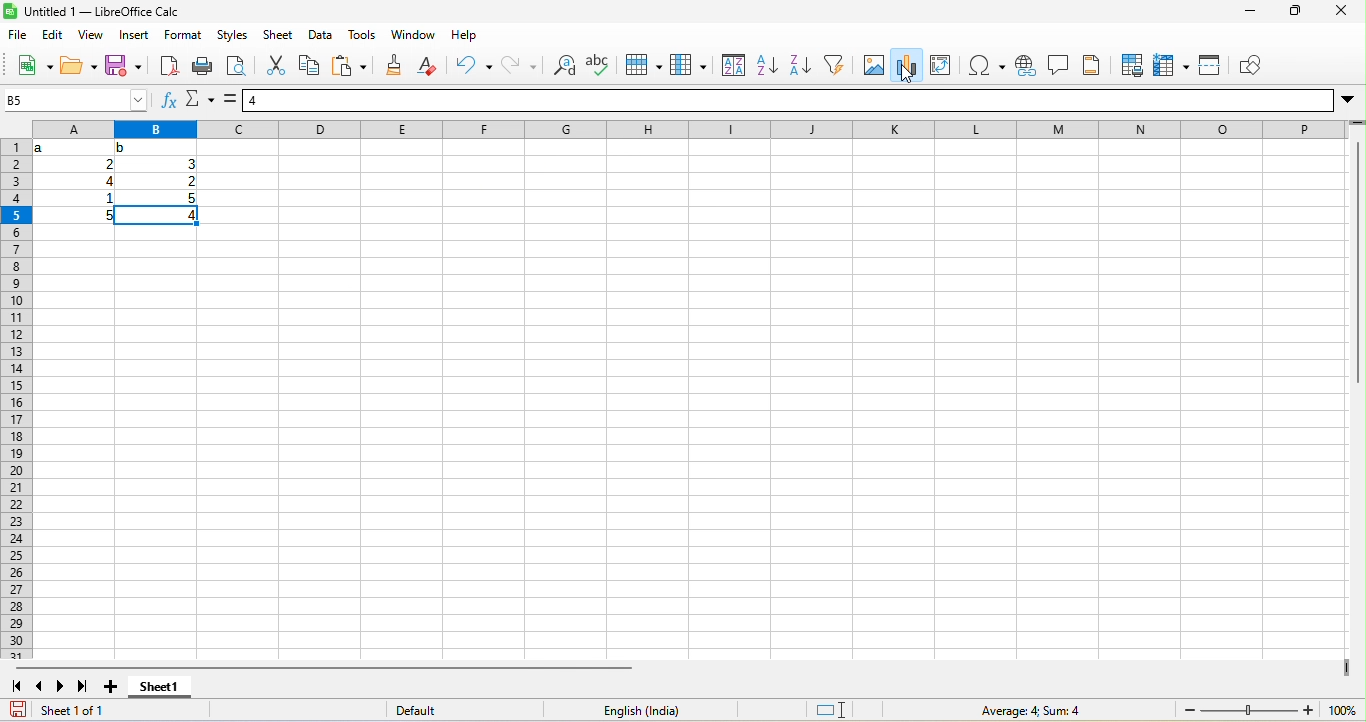 This screenshot has height=722, width=1366. I want to click on default, so click(464, 710).